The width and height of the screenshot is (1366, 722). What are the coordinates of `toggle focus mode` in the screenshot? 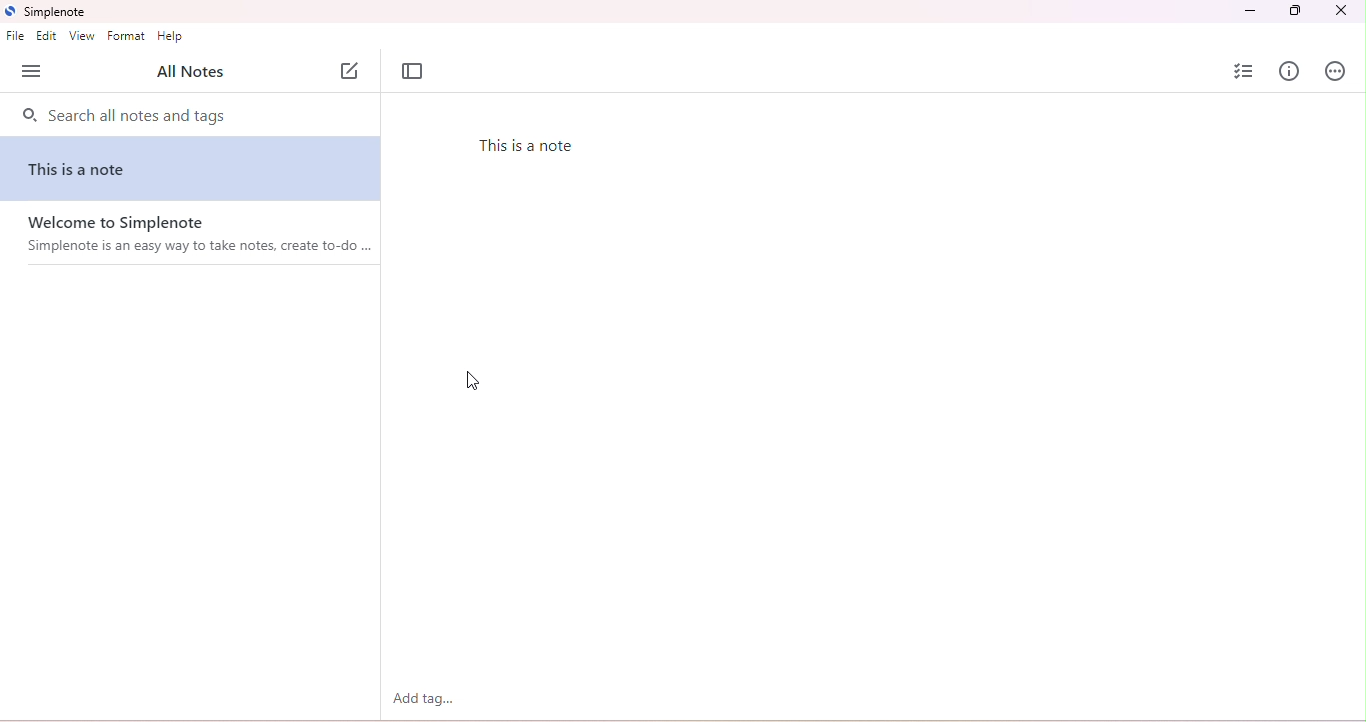 It's located at (413, 73).